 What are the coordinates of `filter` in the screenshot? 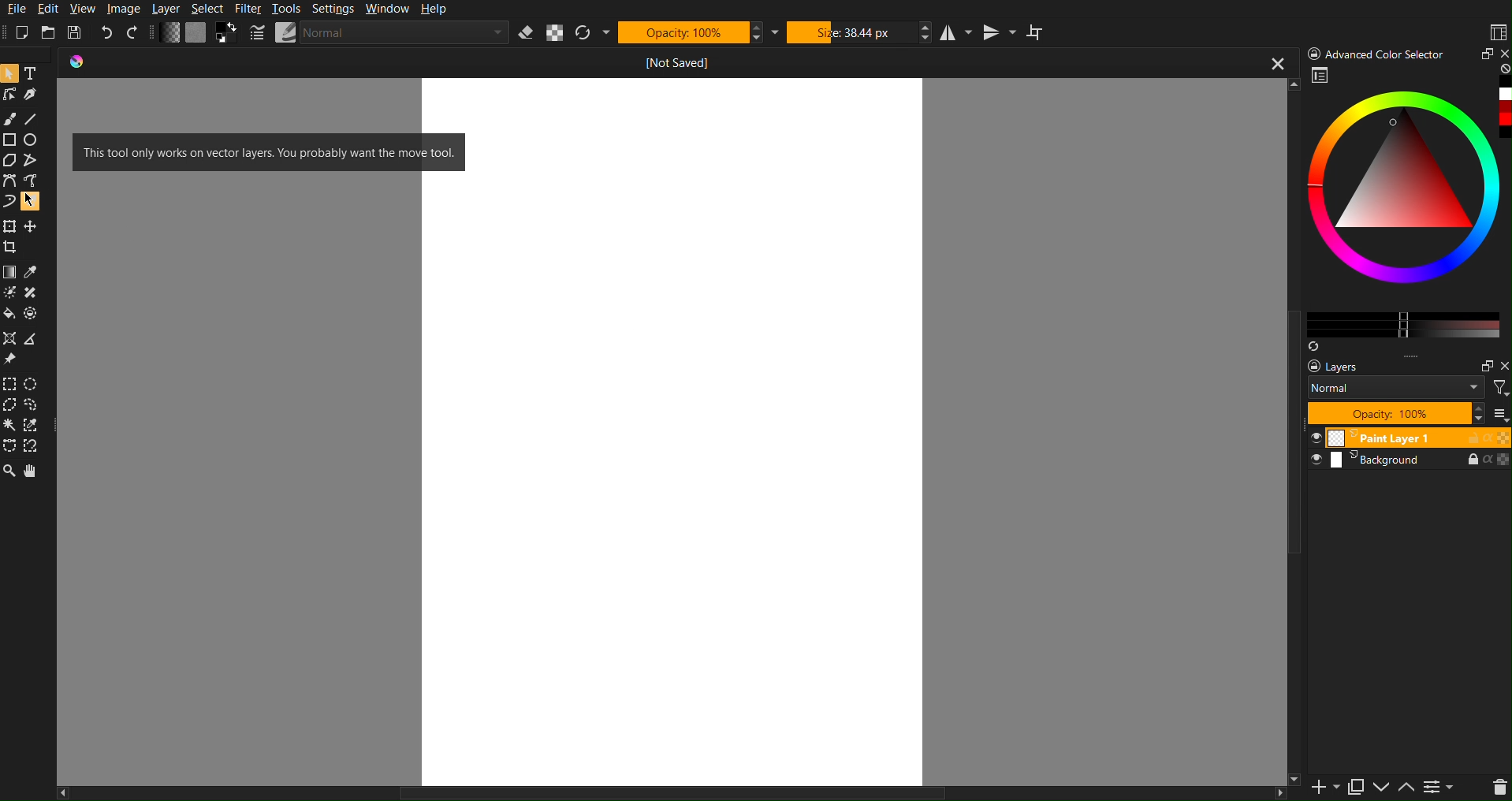 It's located at (1499, 387).